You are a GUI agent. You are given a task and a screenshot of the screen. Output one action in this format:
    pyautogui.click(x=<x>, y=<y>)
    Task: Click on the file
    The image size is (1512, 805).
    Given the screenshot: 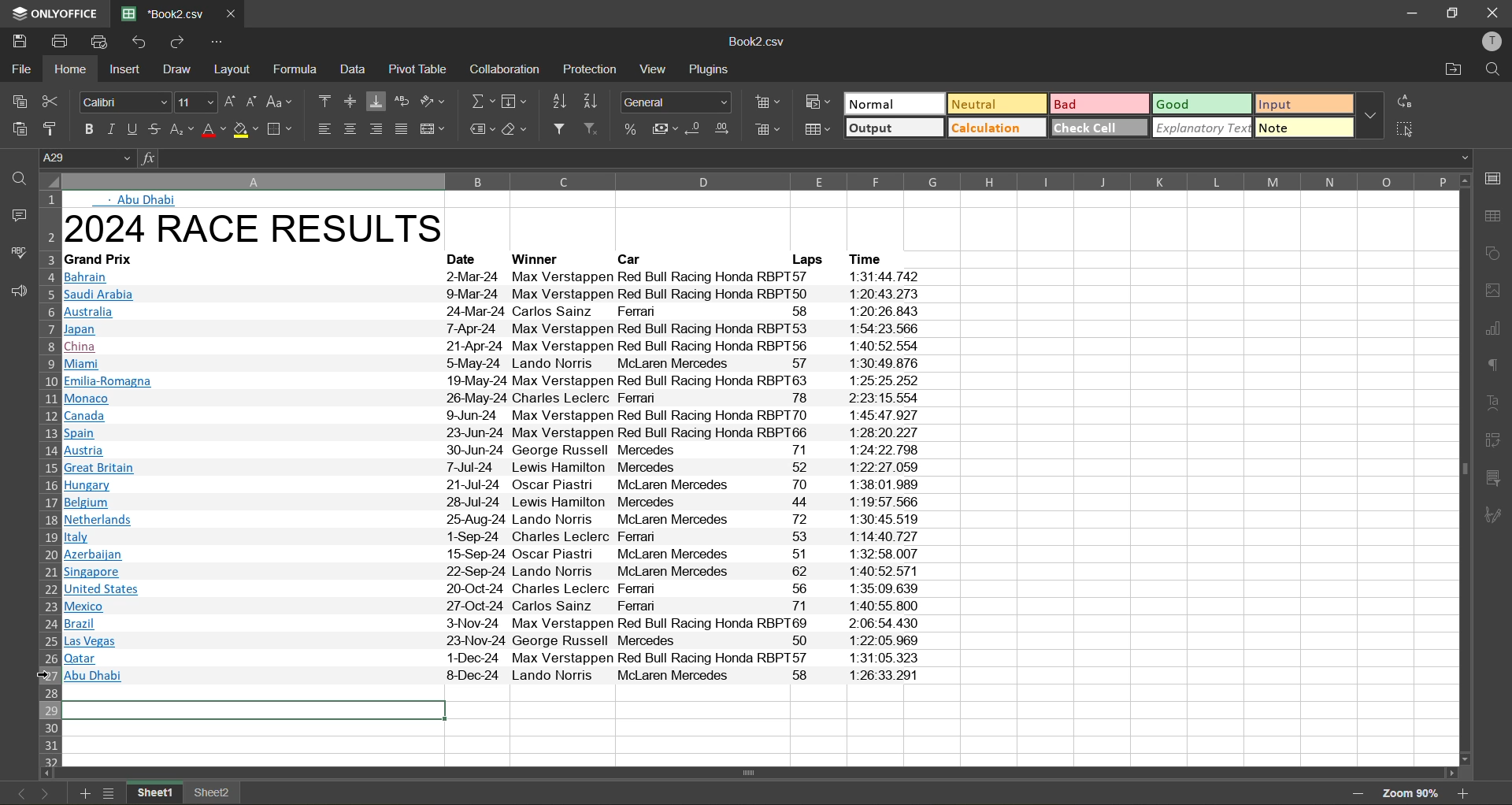 What is the action you would take?
    pyautogui.click(x=19, y=66)
    